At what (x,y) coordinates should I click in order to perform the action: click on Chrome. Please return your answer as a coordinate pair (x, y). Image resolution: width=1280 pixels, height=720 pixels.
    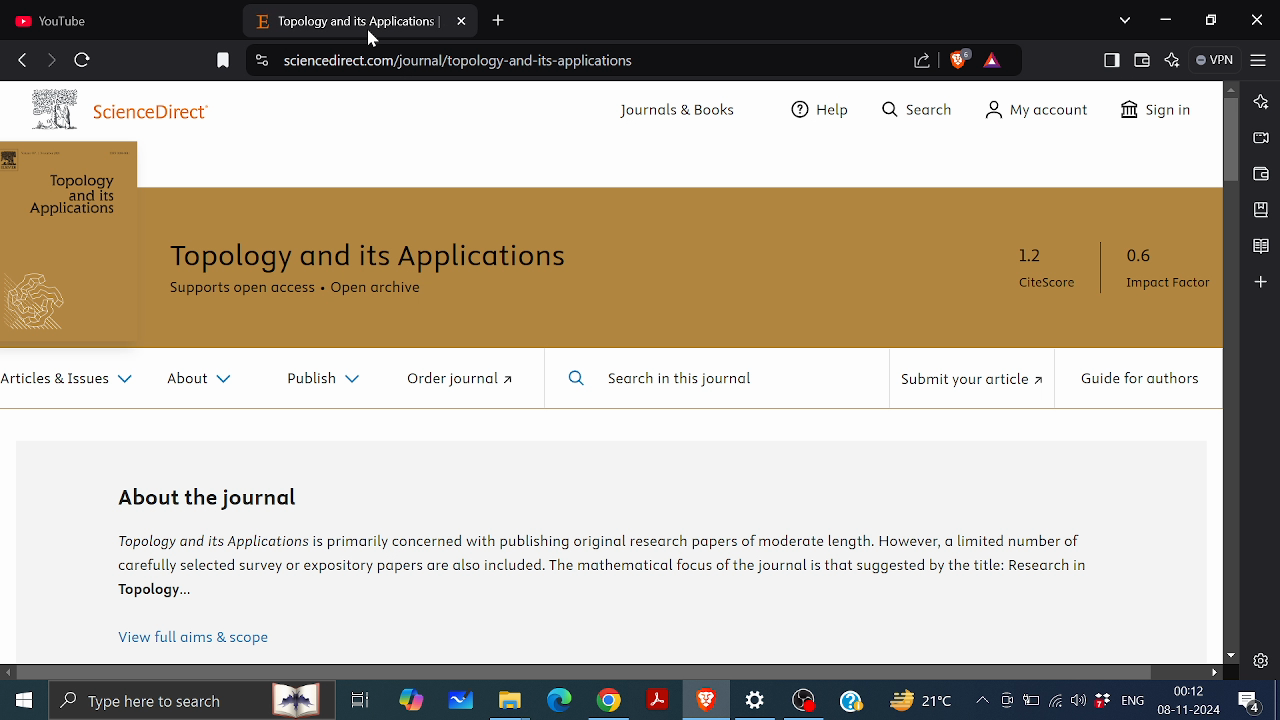
    Looking at the image, I should click on (609, 701).